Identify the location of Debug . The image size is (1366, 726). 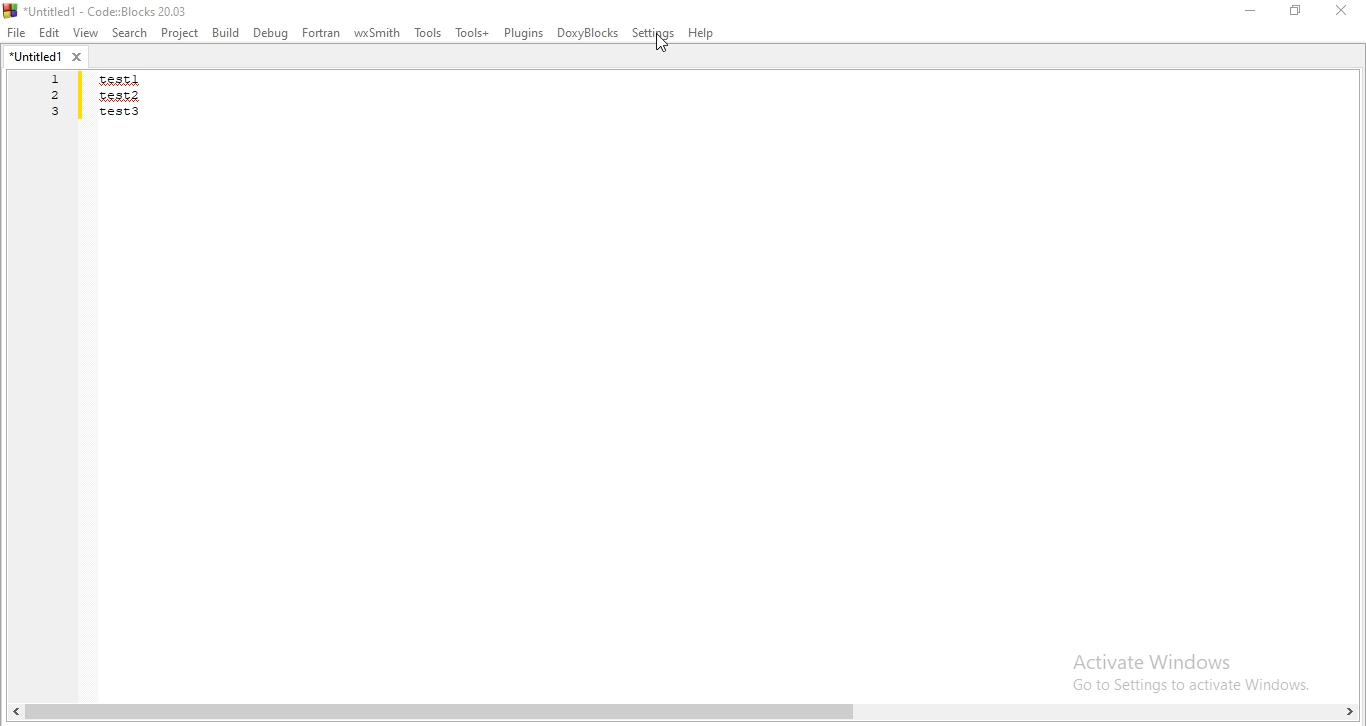
(272, 32).